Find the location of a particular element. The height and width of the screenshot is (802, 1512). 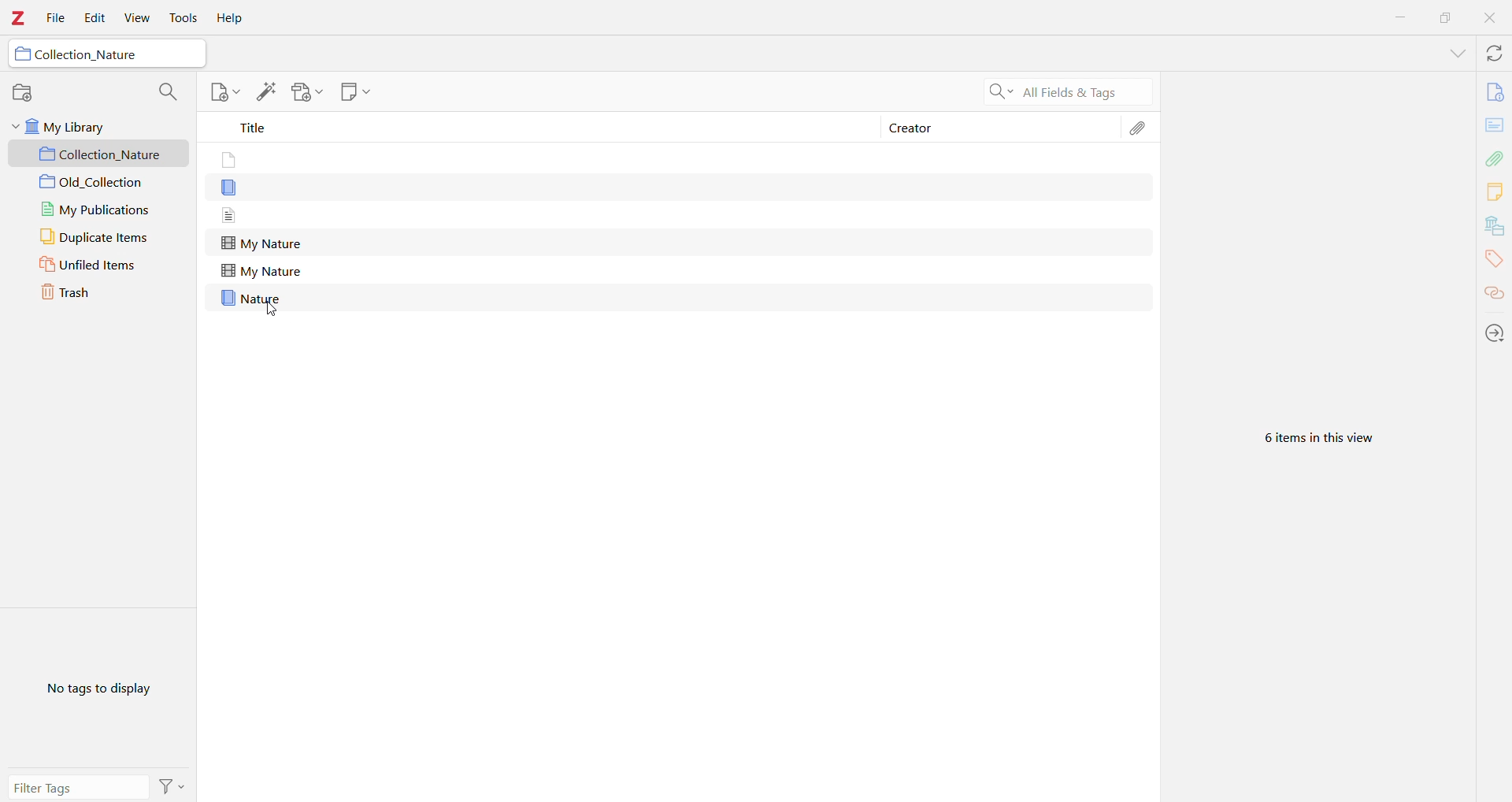

Related is located at coordinates (1493, 295).